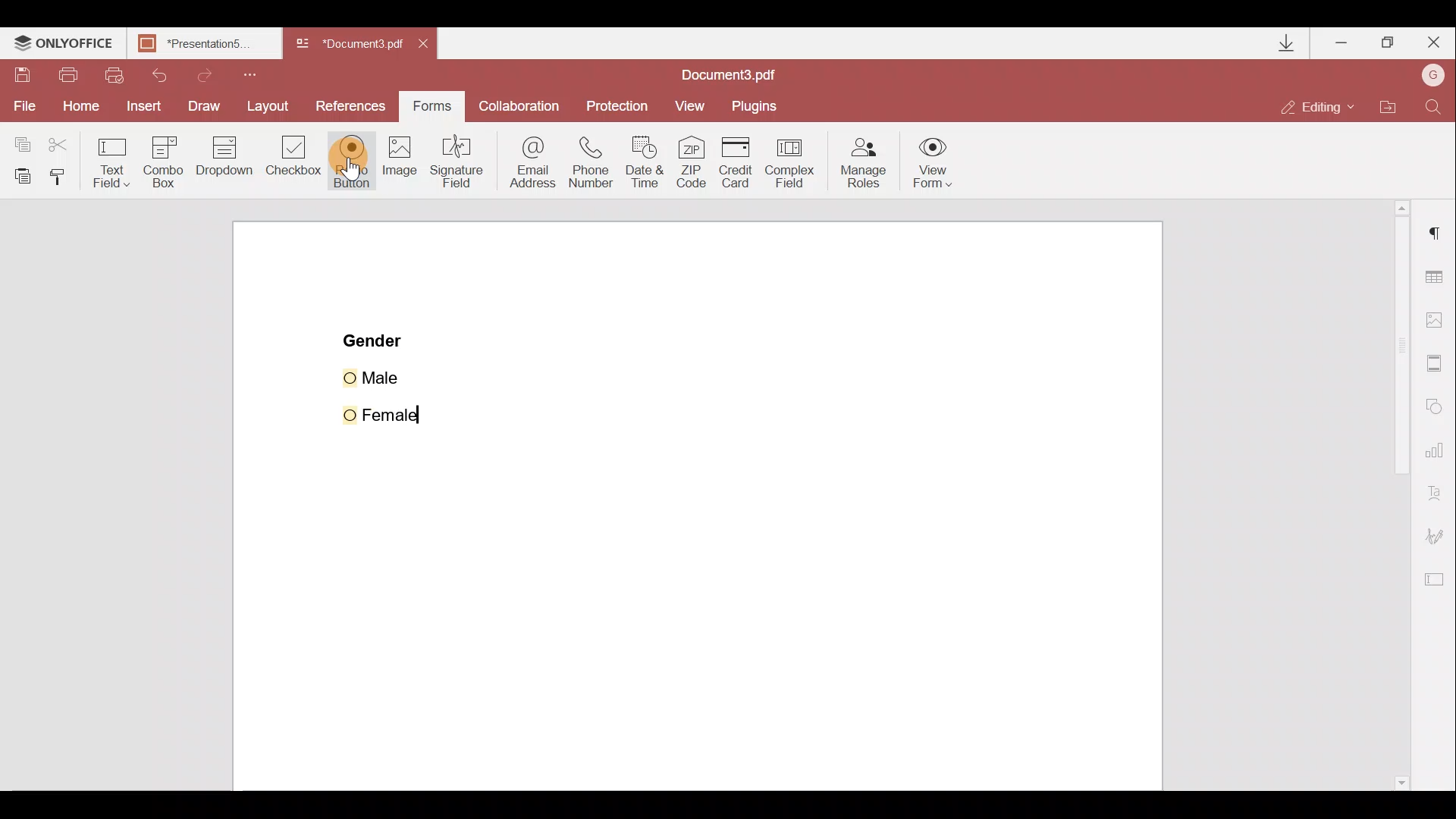  I want to click on Paste, so click(20, 174).